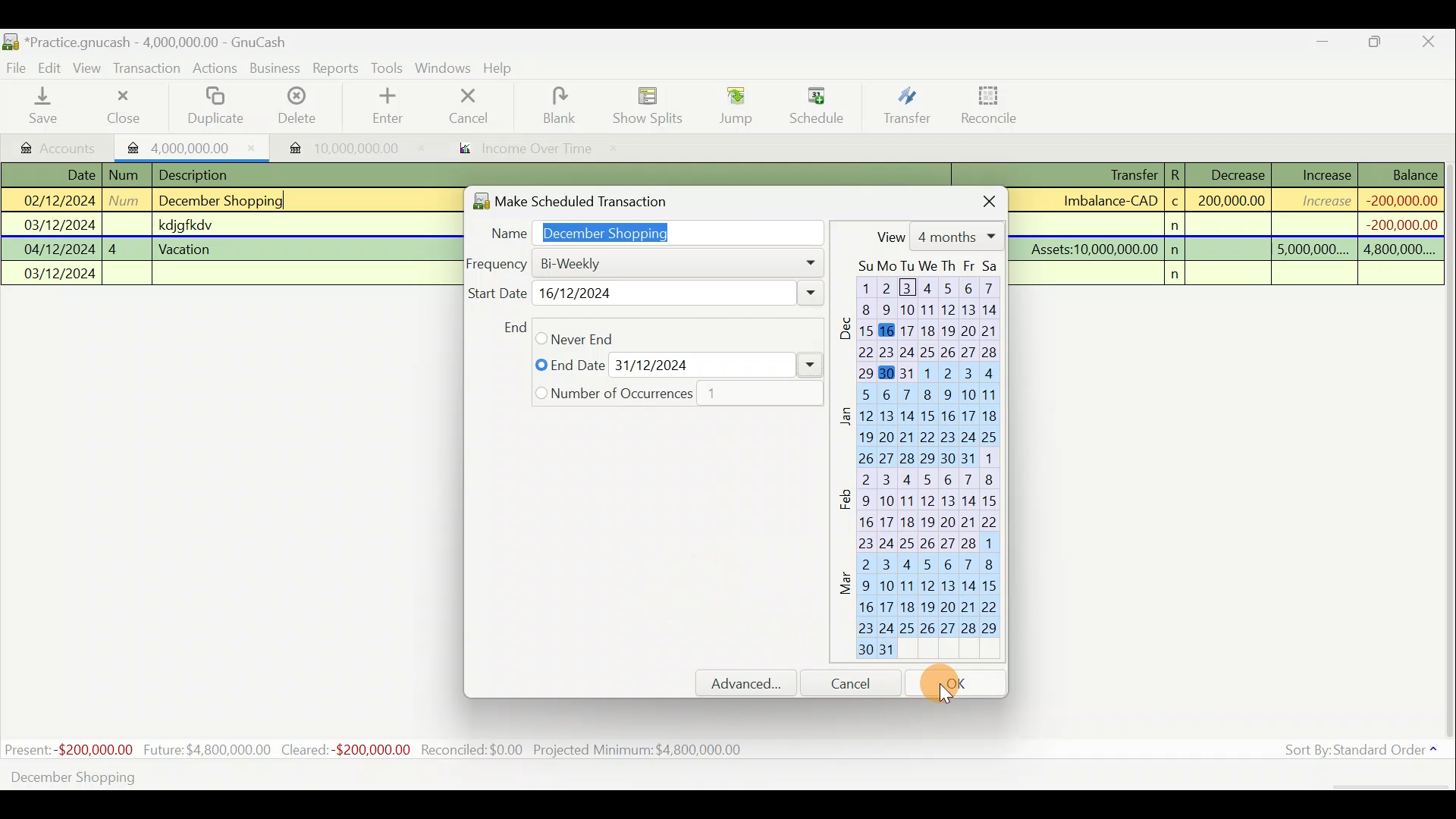  I want to click on Statistics, so click(376, 750).